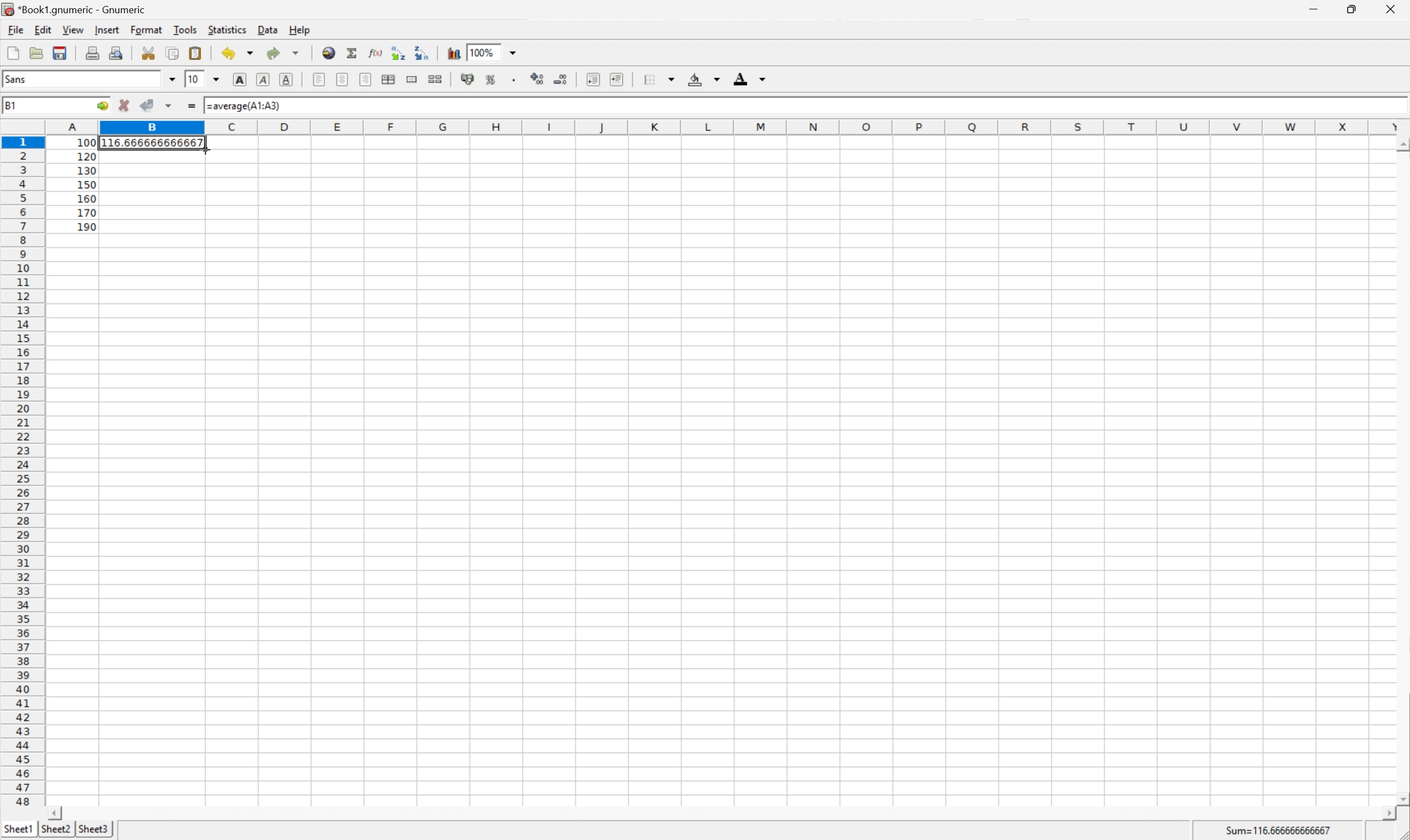 The width and height of the screenshot is (1410, 840). Describe the element at coordinates (1310, 8) in the screenshot. I see `Minimize` at that location.